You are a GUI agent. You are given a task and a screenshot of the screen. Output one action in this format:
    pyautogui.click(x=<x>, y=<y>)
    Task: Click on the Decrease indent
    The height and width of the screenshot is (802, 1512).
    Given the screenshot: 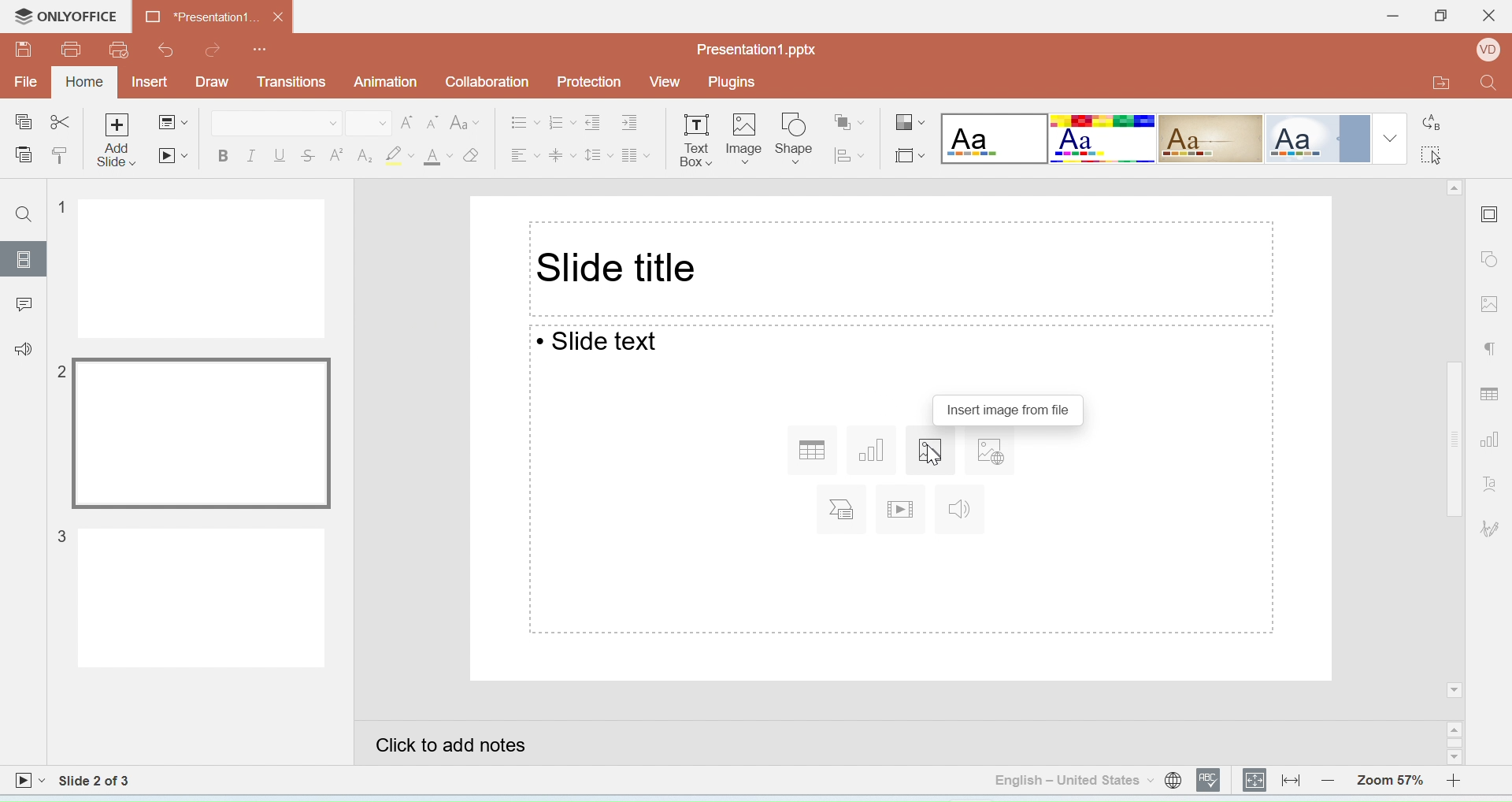 What is the action you would take?
    pyautogui.click(x=596, y=121)
    